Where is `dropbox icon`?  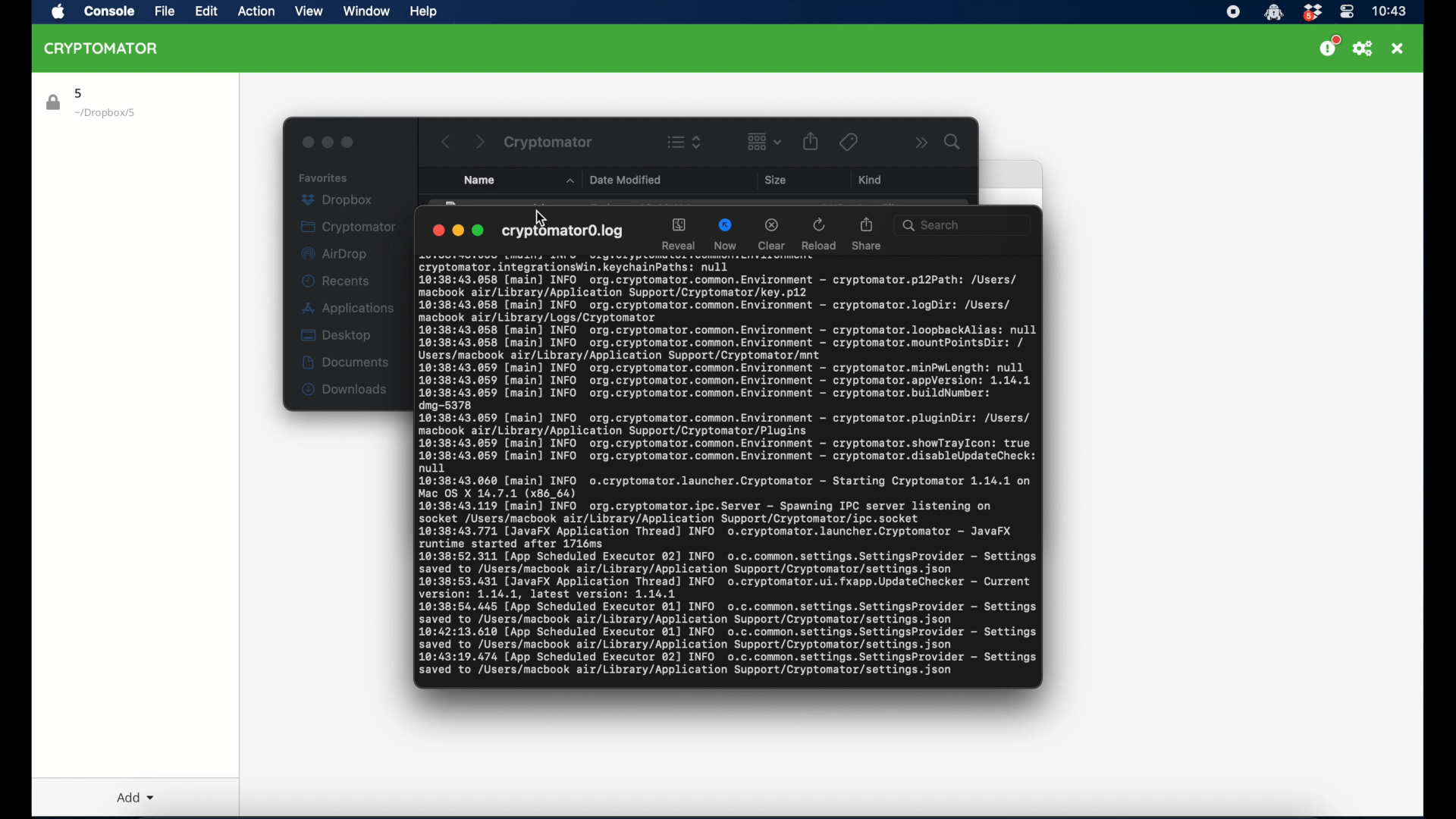 dropbox icon is located at coordinates (1312, 13).